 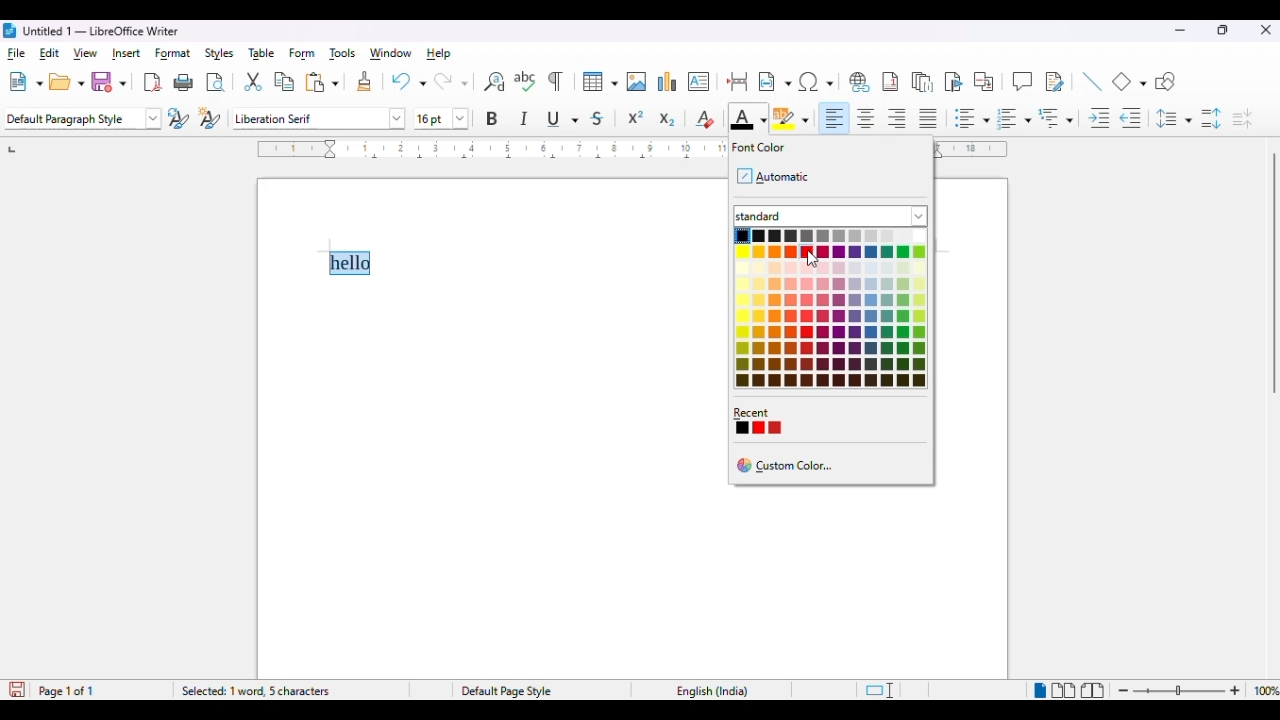 I want to click on word and character count, so click(x=286, y=691).